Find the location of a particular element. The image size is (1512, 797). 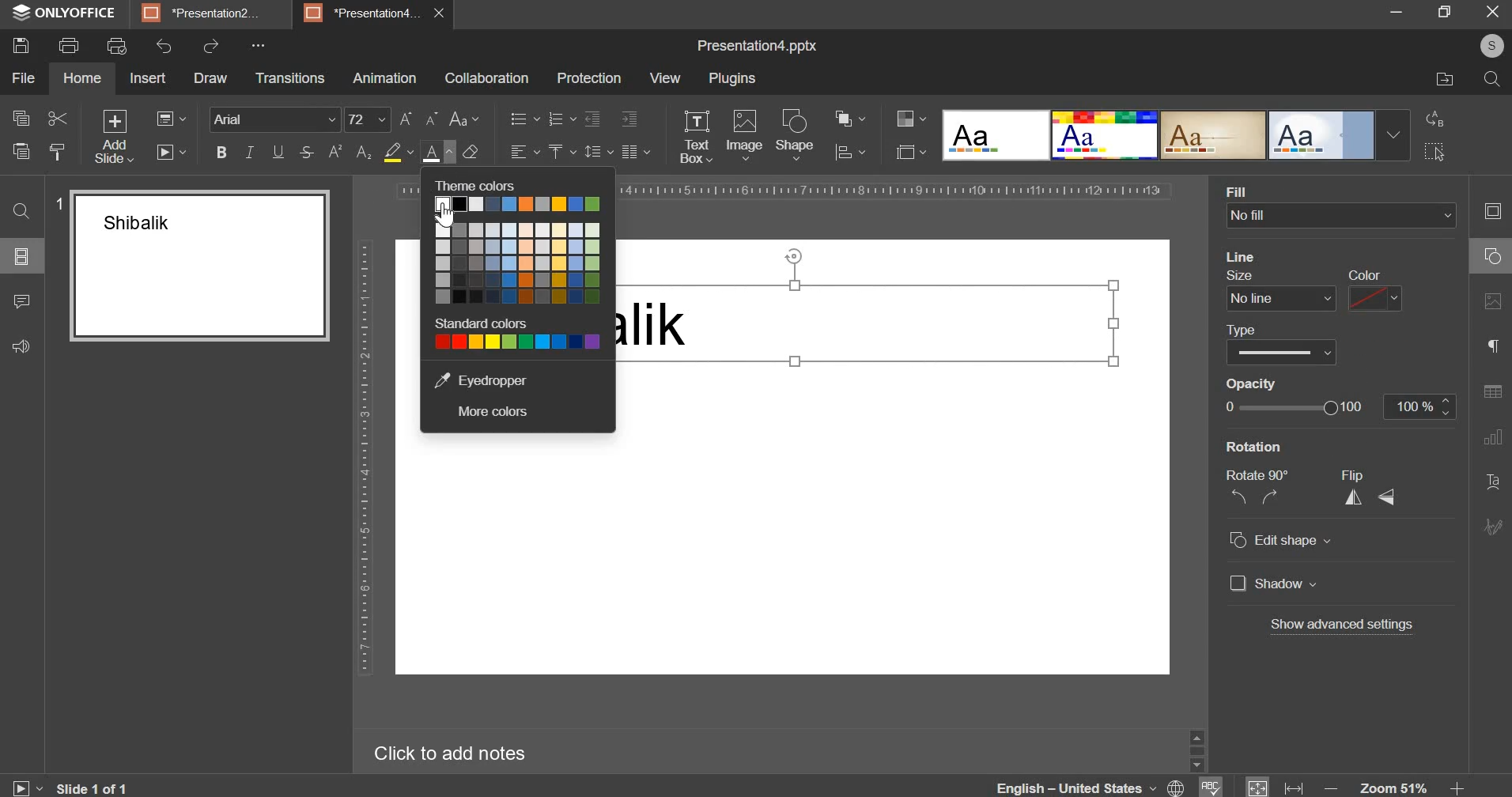

vertical alignment is located at coordinates (561, 152).